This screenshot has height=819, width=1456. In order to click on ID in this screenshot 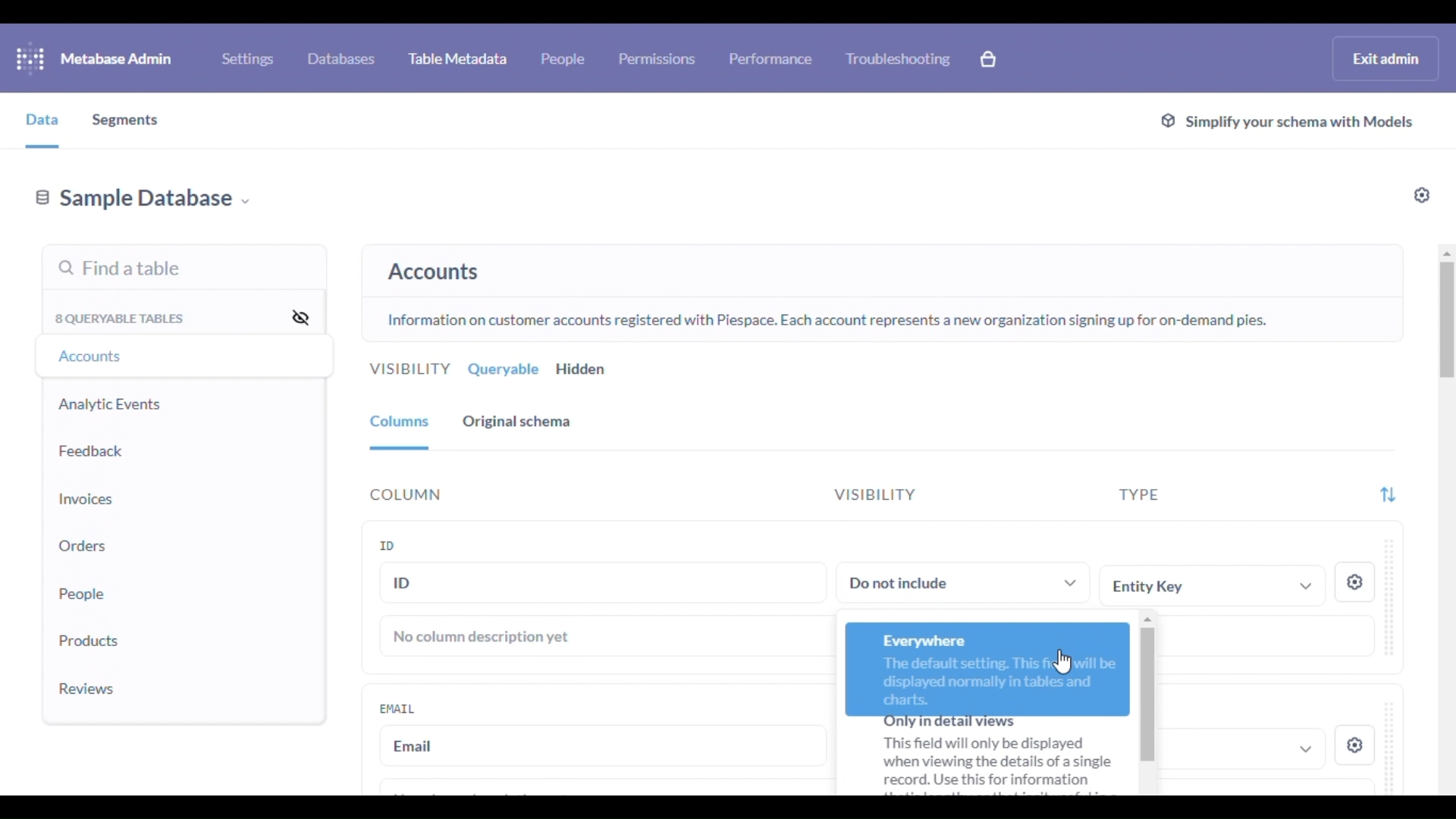, I will do `click(388, 544)`.